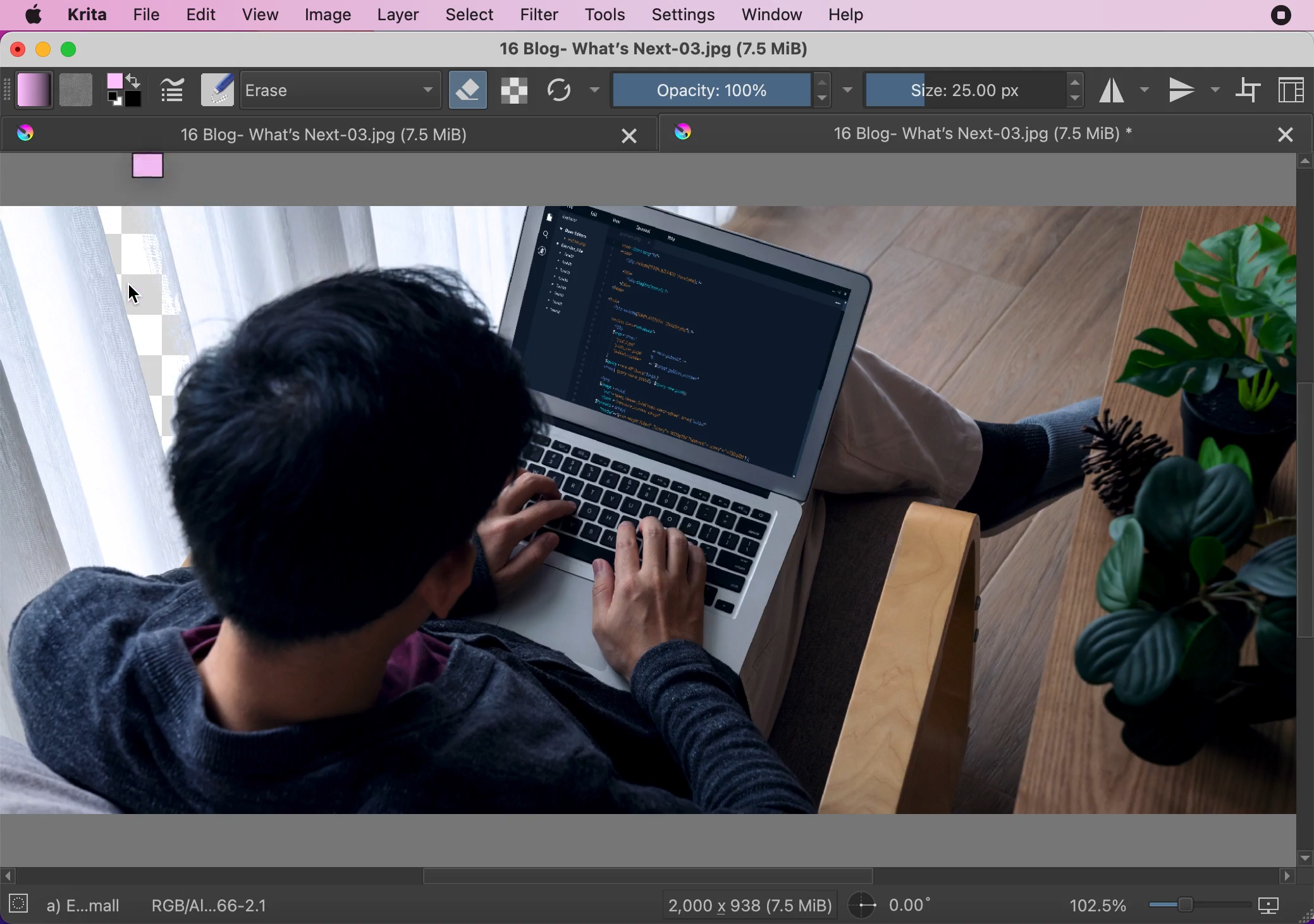 The width and height of the screenshot is (1314, 924). I want to click on horizontal scroll bar, so click(649, 877).